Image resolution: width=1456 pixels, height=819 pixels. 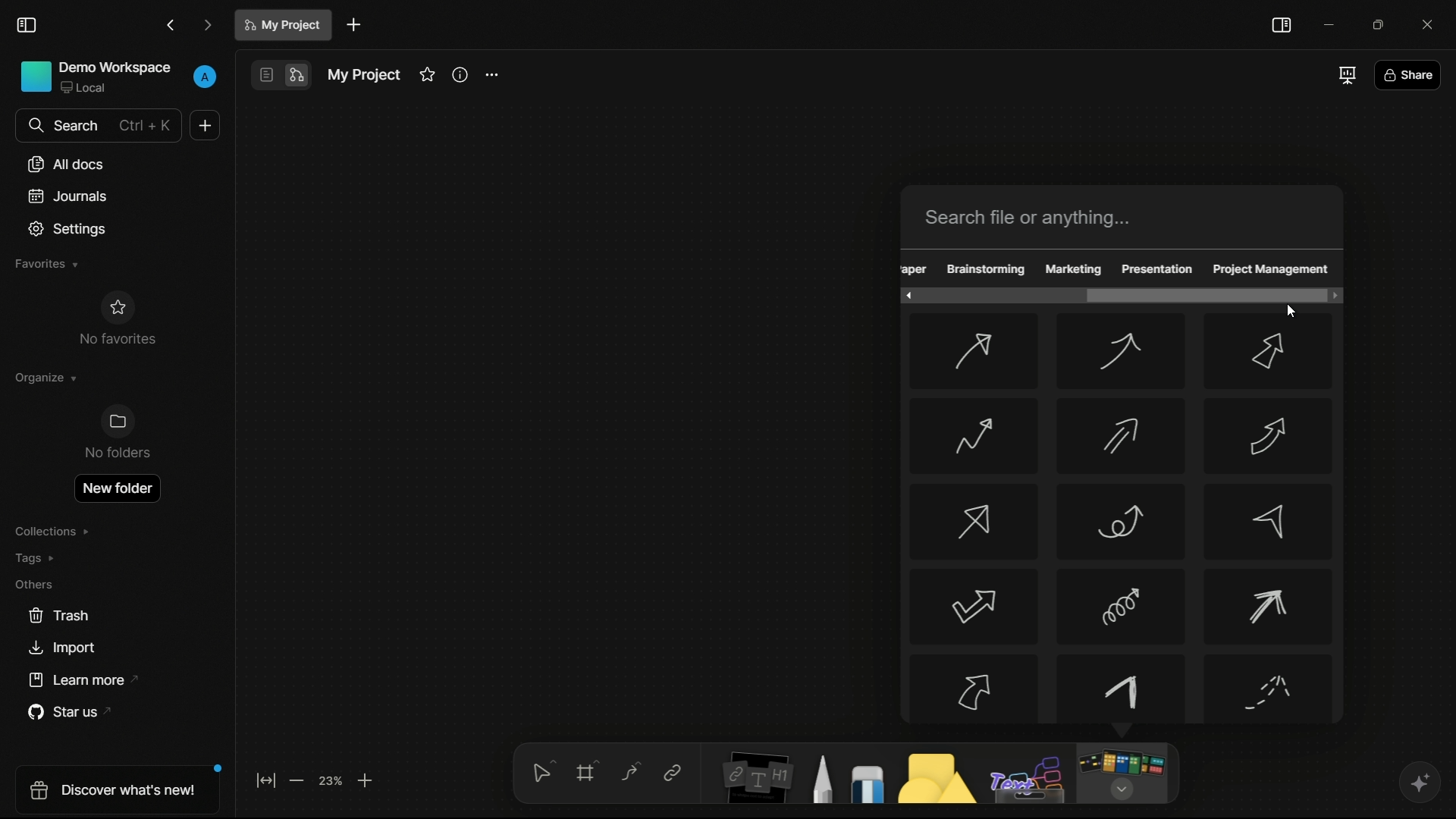 I want to click on favorites, so click(x=427, y=74).